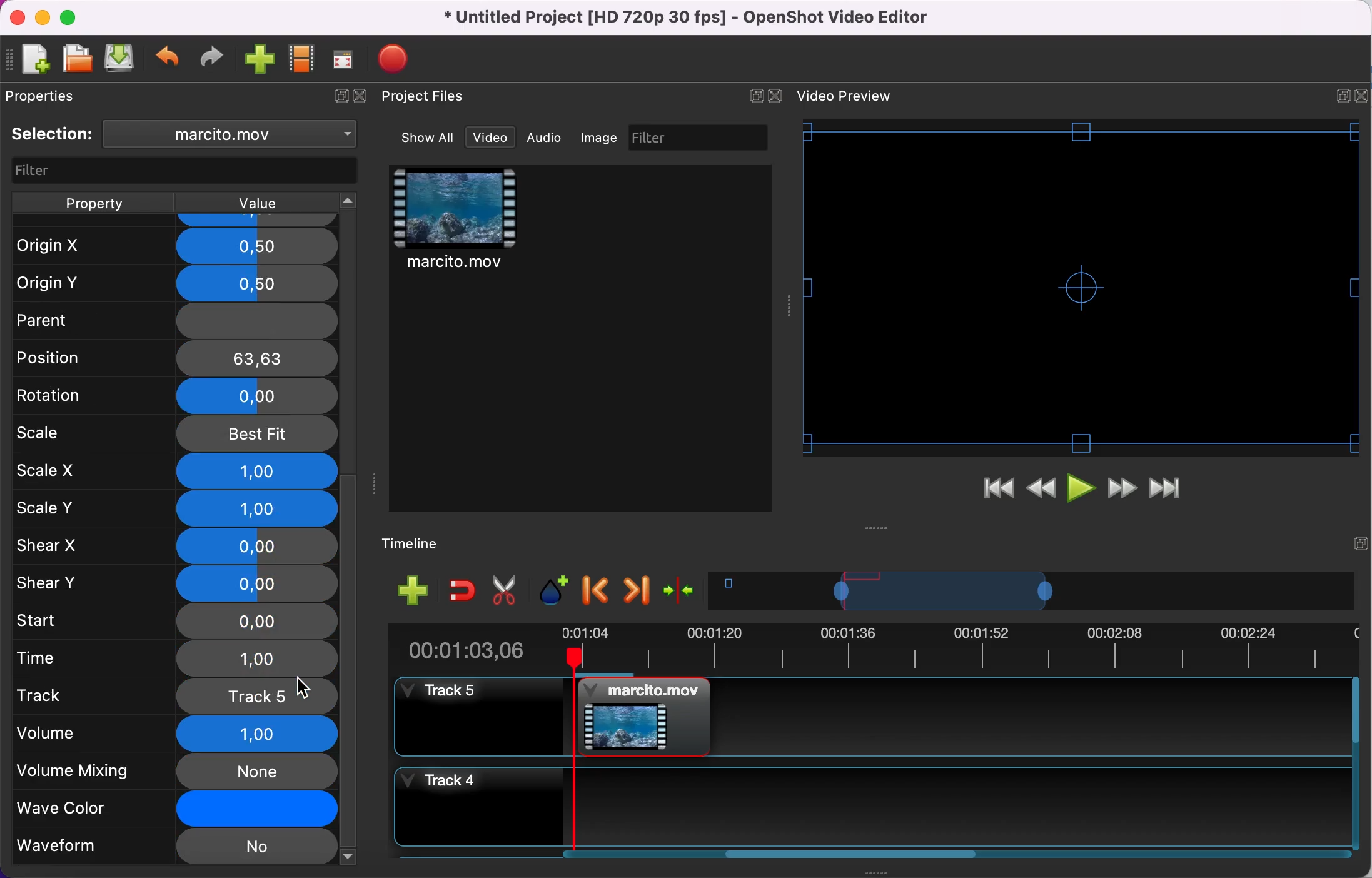 This screenshot has width=1372, height=878. I want to click on timeline, so click(1032, 590).